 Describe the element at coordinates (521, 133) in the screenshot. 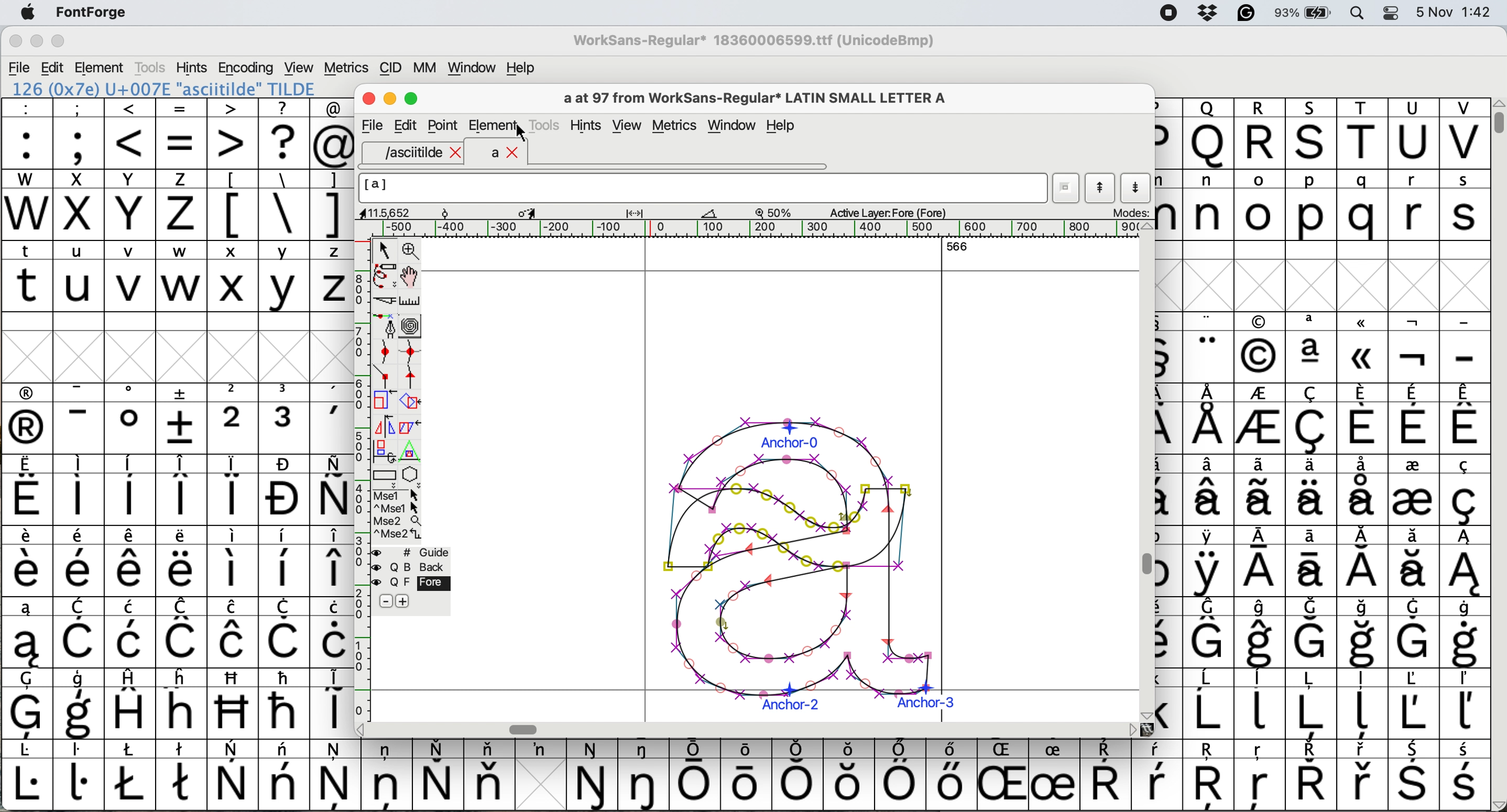

I see `cursor` at that location.